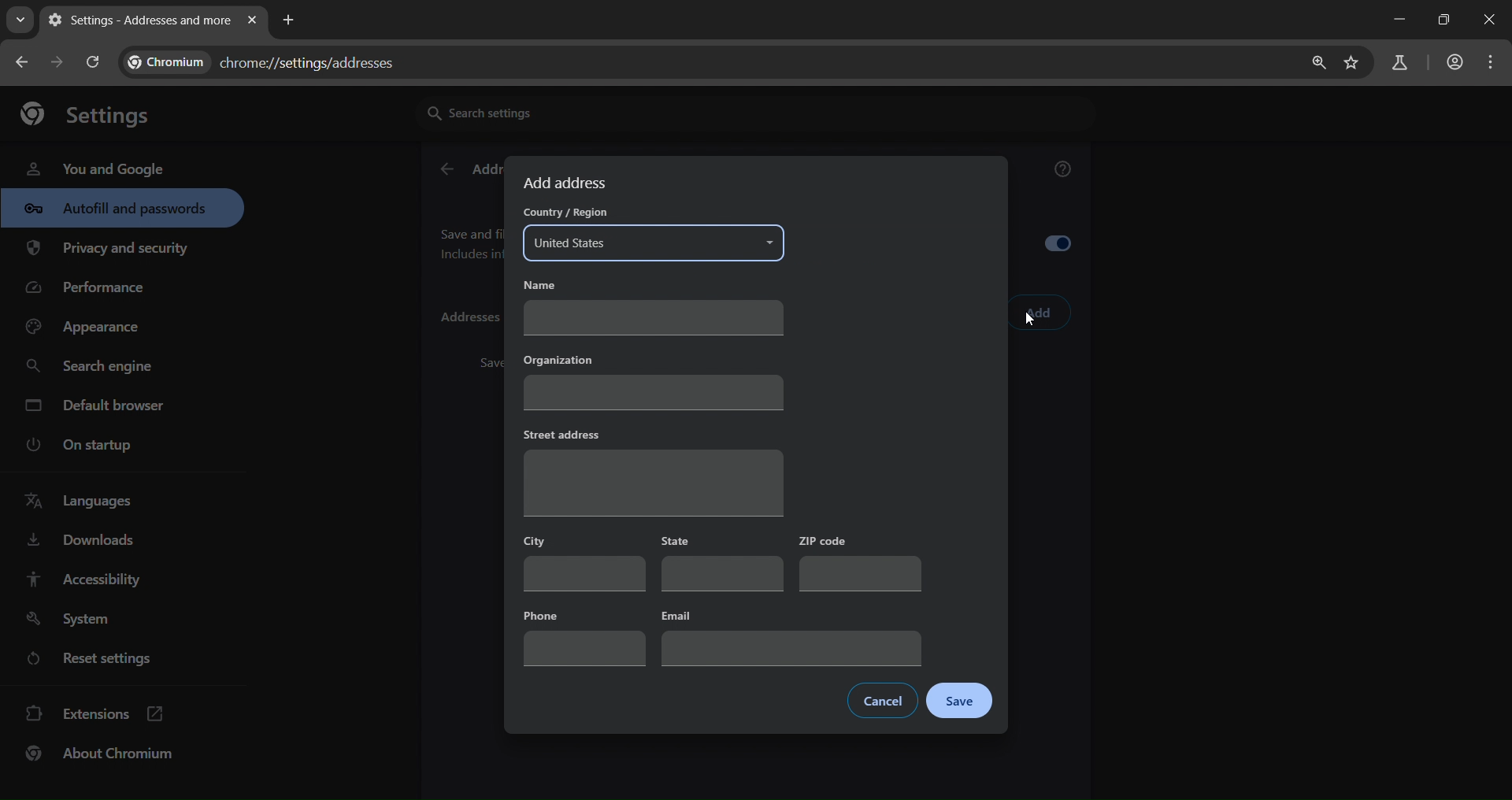 The height and width of the screenshot is (800, 1512). I want to click on add, so click(1039, 313).